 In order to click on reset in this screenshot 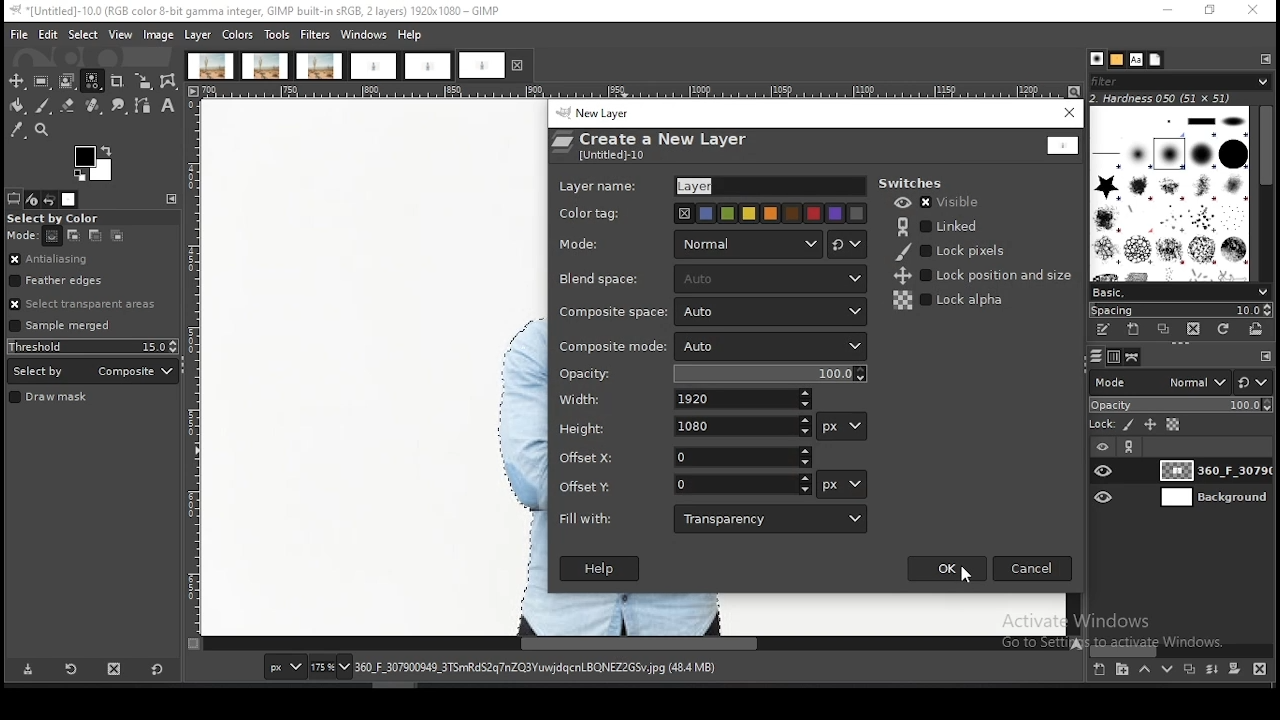, I will do `click(157, 667)`.